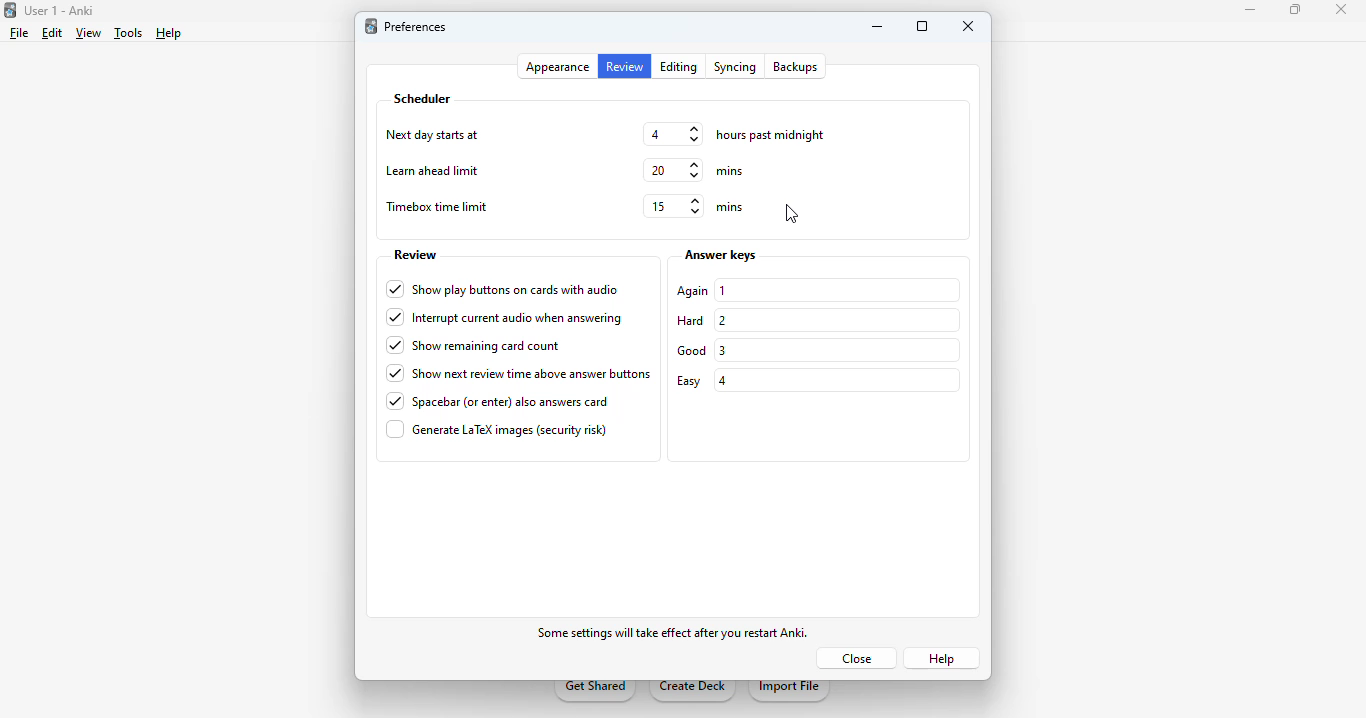 The width and height of the screenshot is (1366, 718). Describe the element at coordinates (737, 207) in the screenshot. I see `mins` at that location.